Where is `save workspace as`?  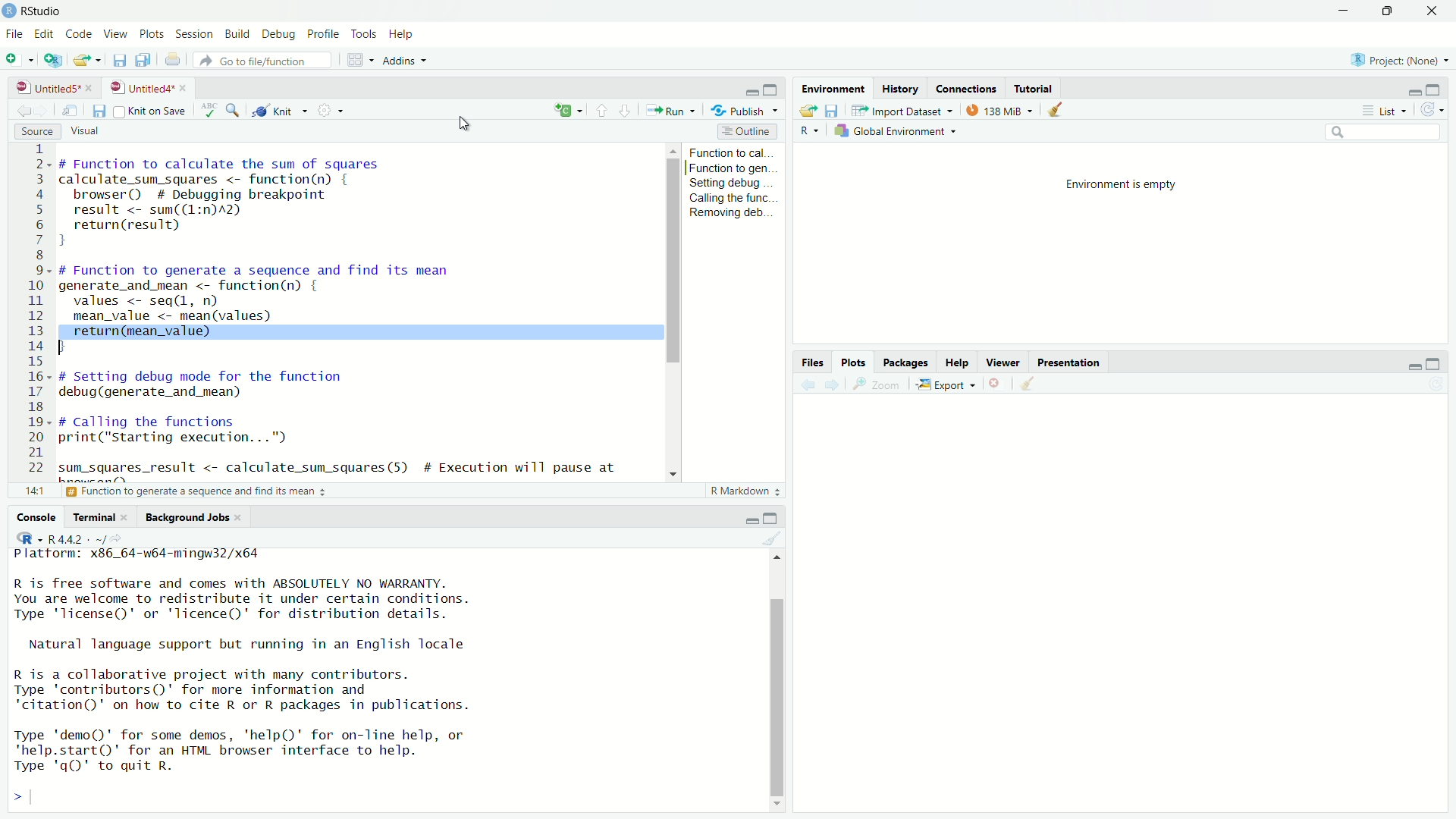 save workspace as is located at coordinates (835, 111).